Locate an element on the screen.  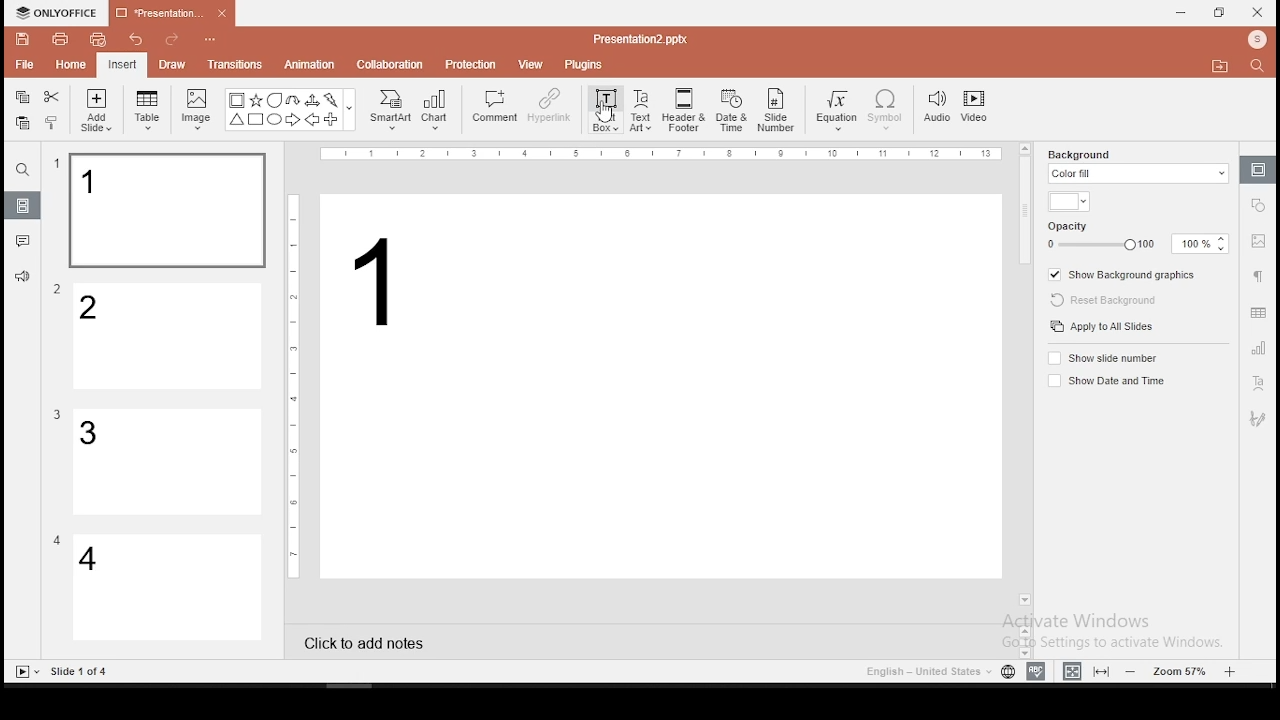
slide number is located at coordinates (777, 110).